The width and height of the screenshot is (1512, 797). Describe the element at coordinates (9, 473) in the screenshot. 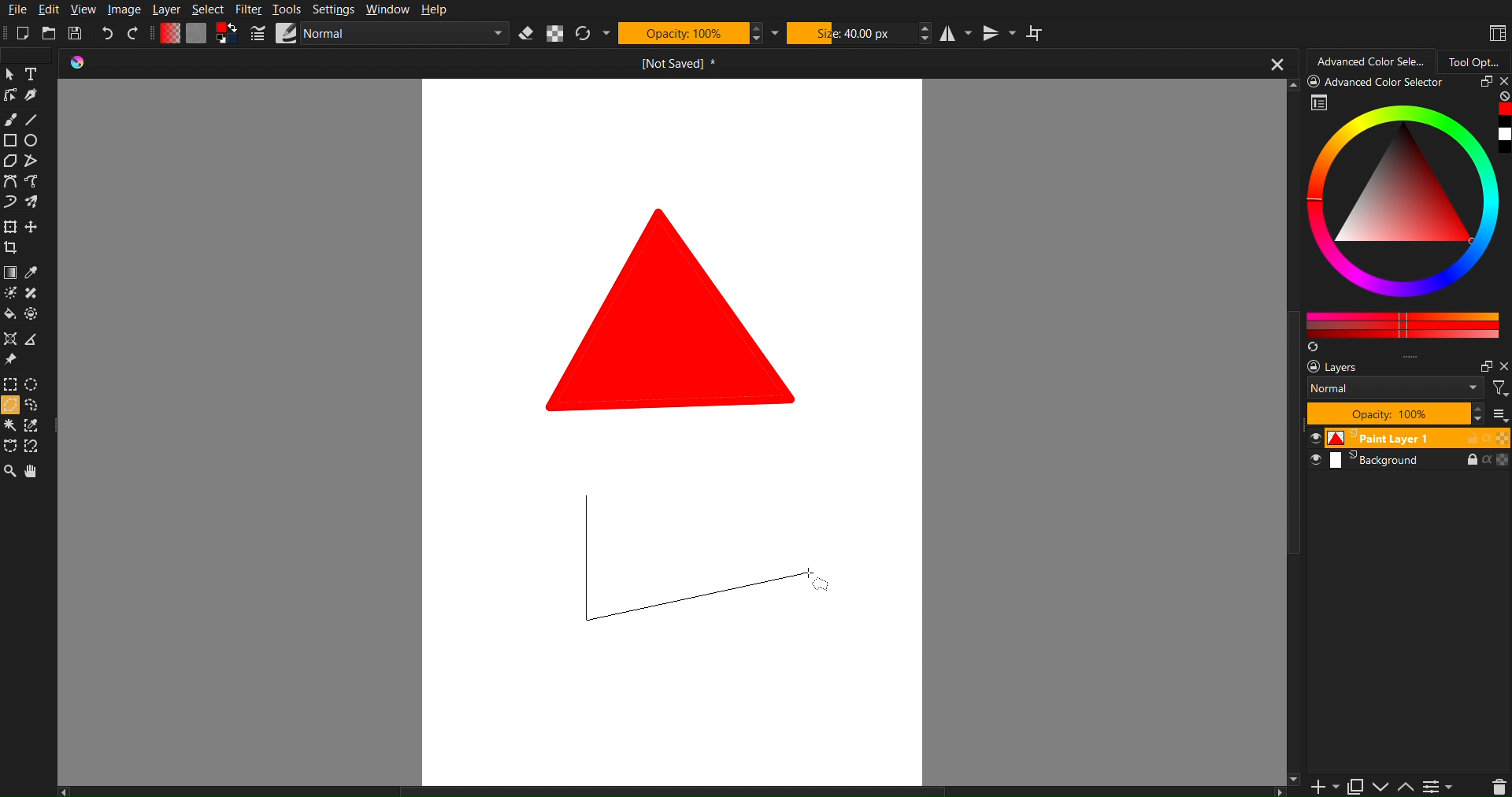

I see `Zoom` at that location.